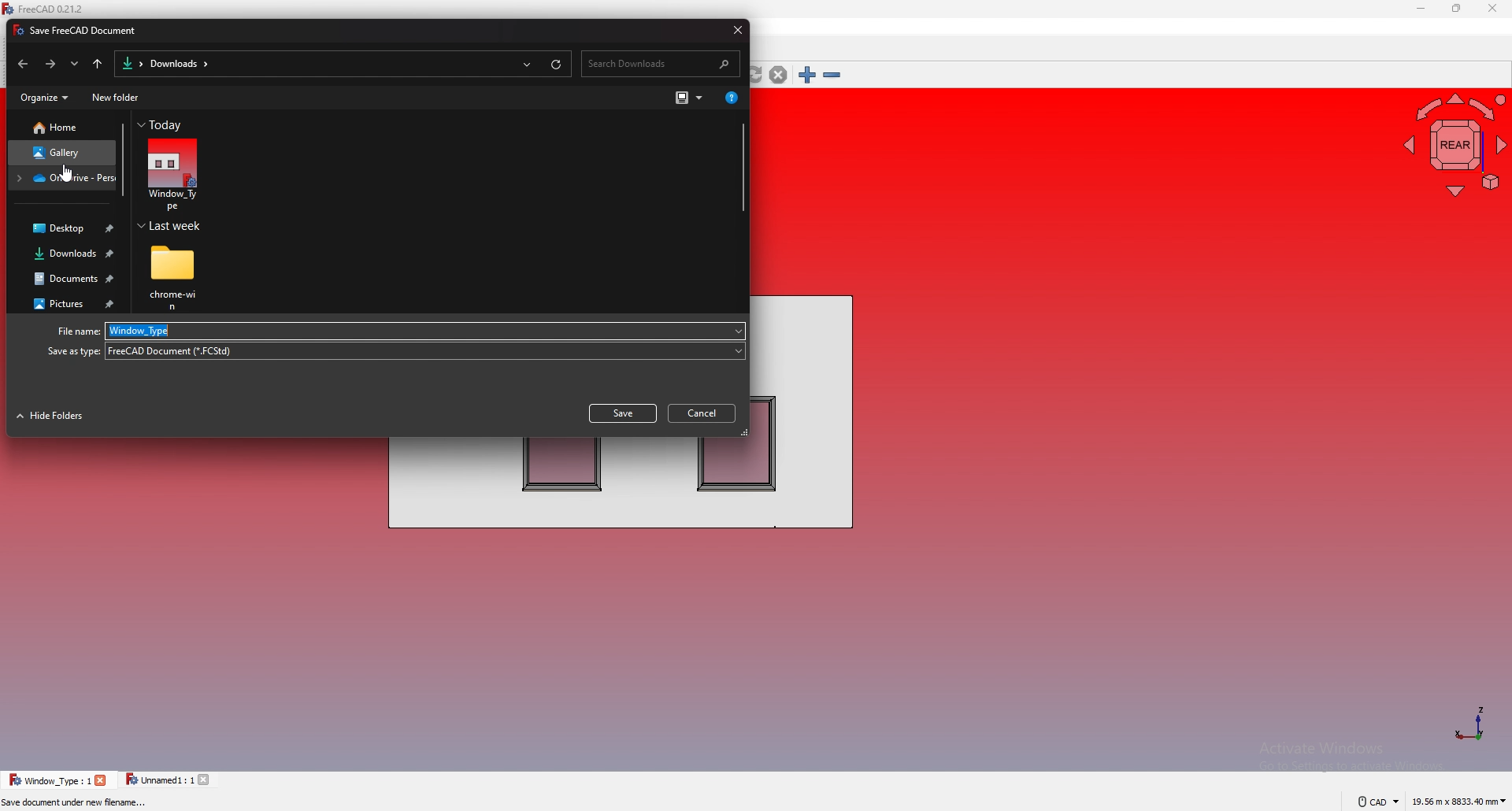 The height and width of the screenshot is (811, 1512). What do you see at coordinates (69, 174) in the screenshot?
I see `cursor` at bounding box center [69, 174].